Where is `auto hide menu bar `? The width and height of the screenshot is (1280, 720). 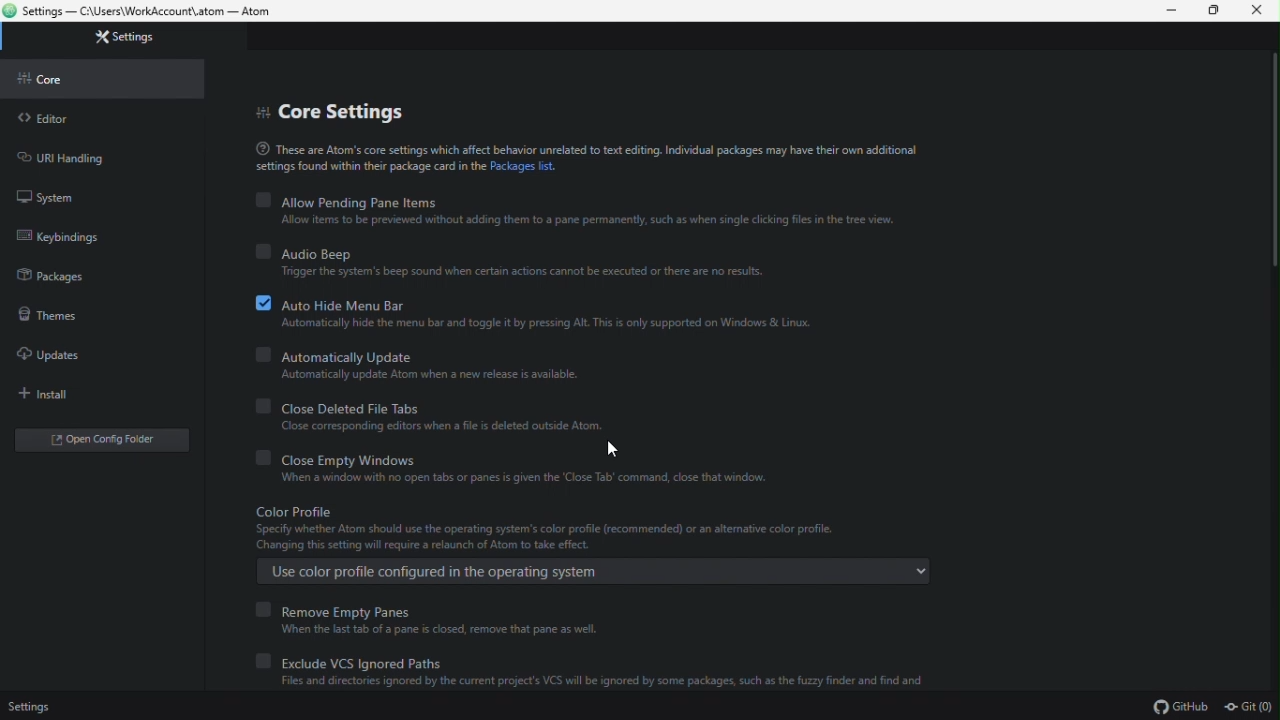
auto hide menu bar  is located at coordinates (562, 303).